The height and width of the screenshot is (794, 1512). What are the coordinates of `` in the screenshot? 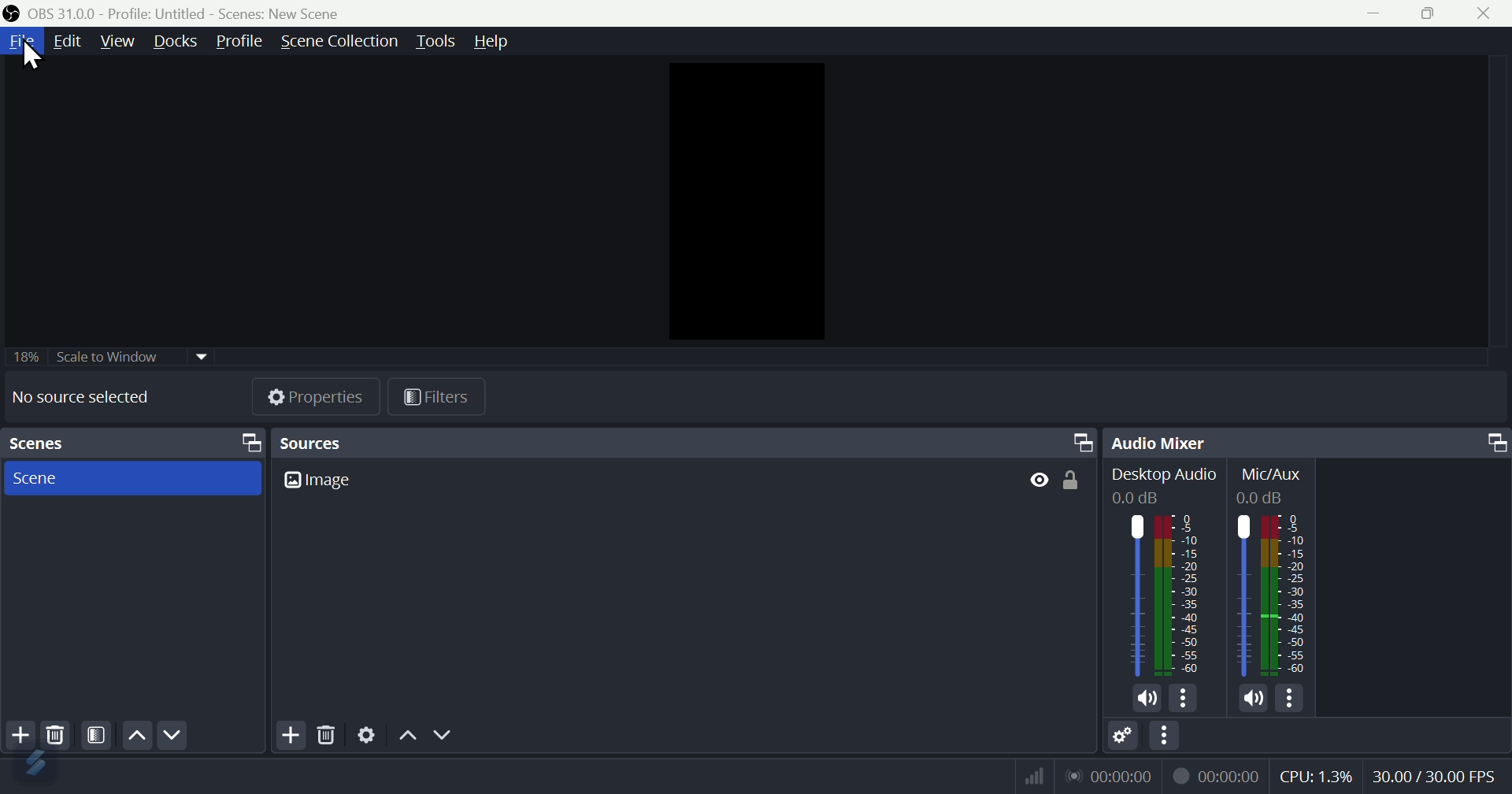 It's located at (1067, 481).